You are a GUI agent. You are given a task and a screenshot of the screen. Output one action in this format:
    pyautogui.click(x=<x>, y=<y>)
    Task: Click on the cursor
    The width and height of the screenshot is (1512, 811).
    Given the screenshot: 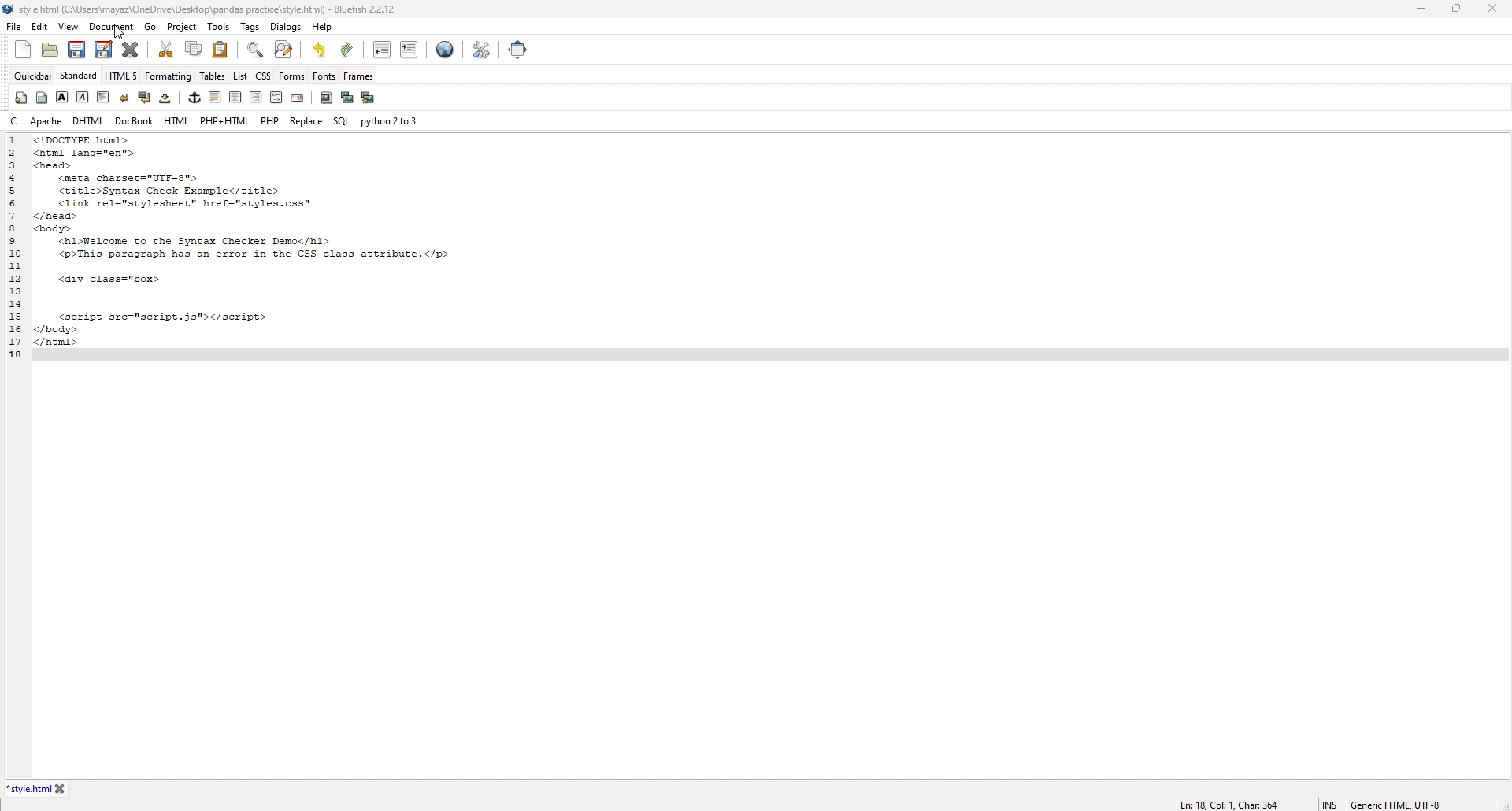 What is the action you would take?
    pyautogui.click(x=123, y=34)
    